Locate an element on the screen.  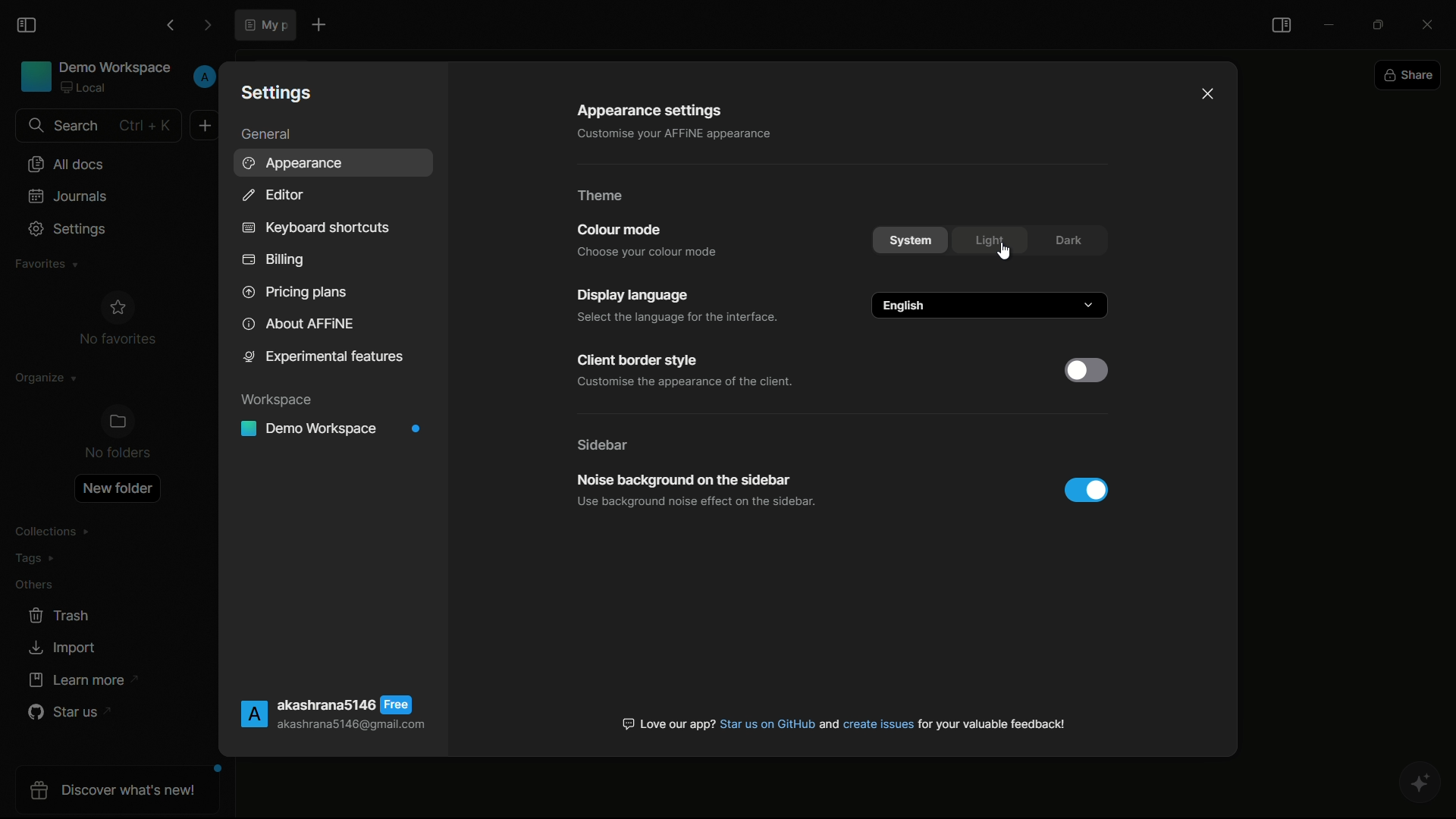
Profile image is located at coordinates (252, 715).